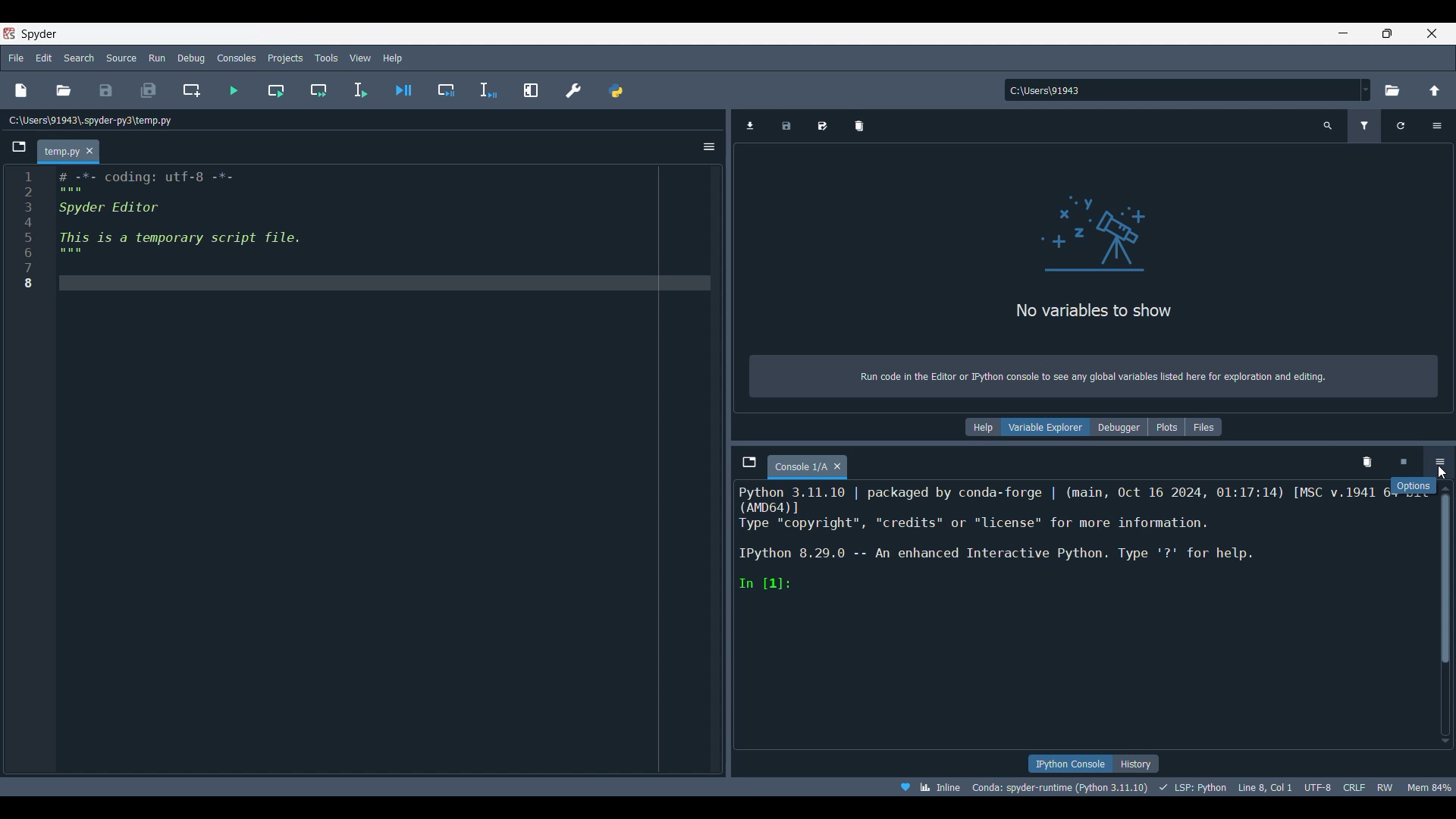  Describe the element at coordinates (361, 58) in the screenshot. I see `View menu` at that location.